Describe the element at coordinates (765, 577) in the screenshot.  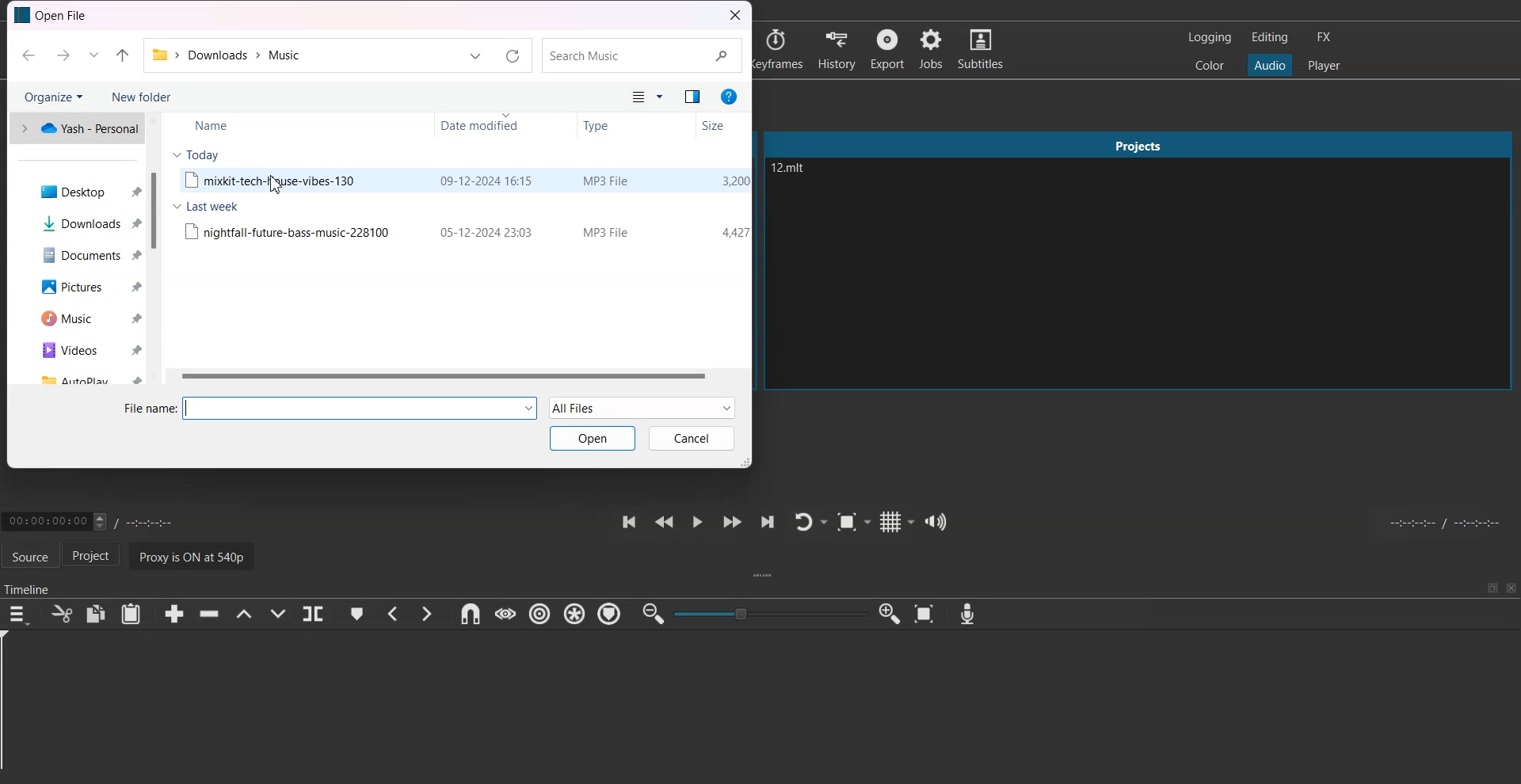
I see `Drag Handle` at that location.